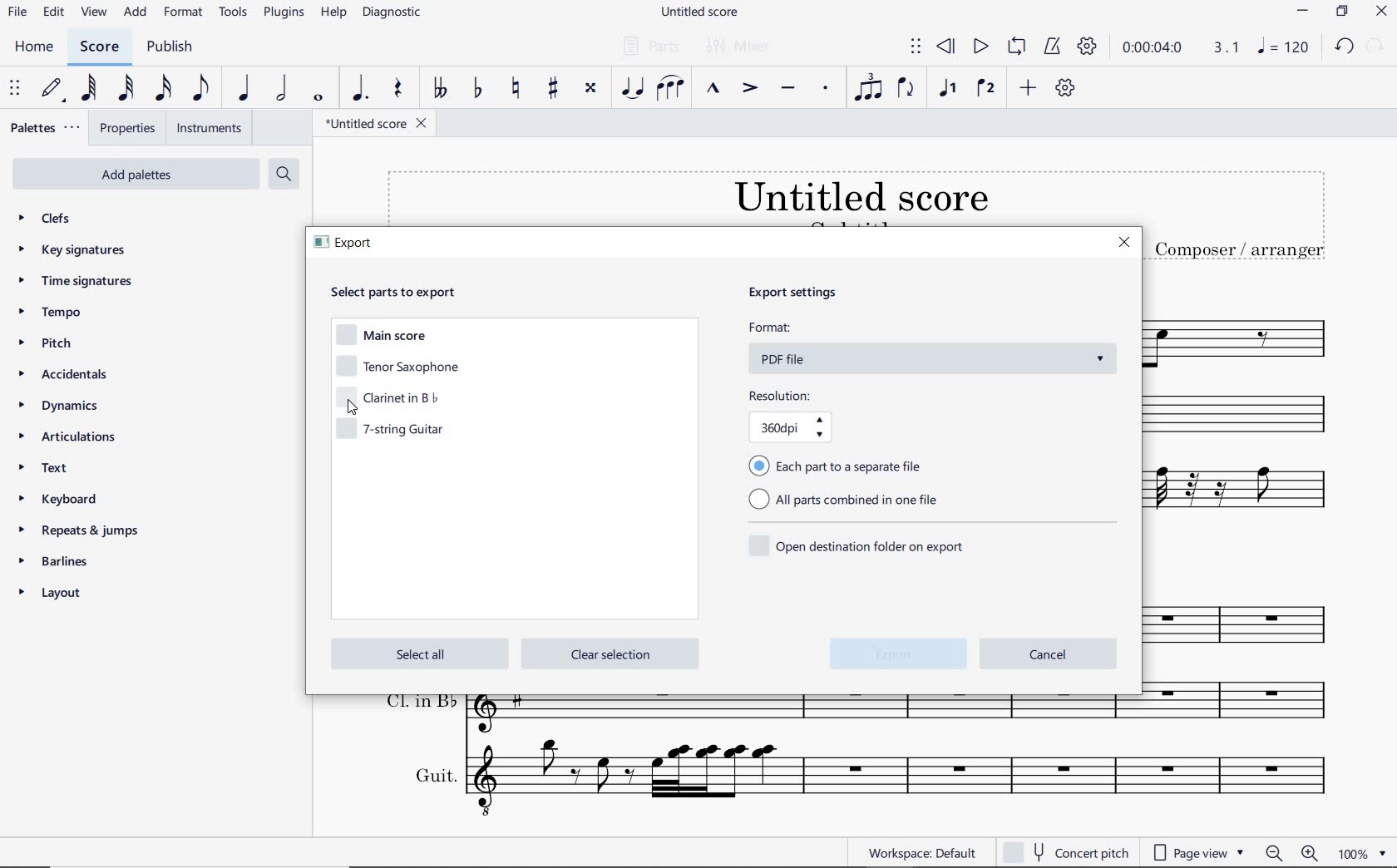 The width and height of the screenshot is (1397, 868). I want to click on ADD, so click(136, 13).